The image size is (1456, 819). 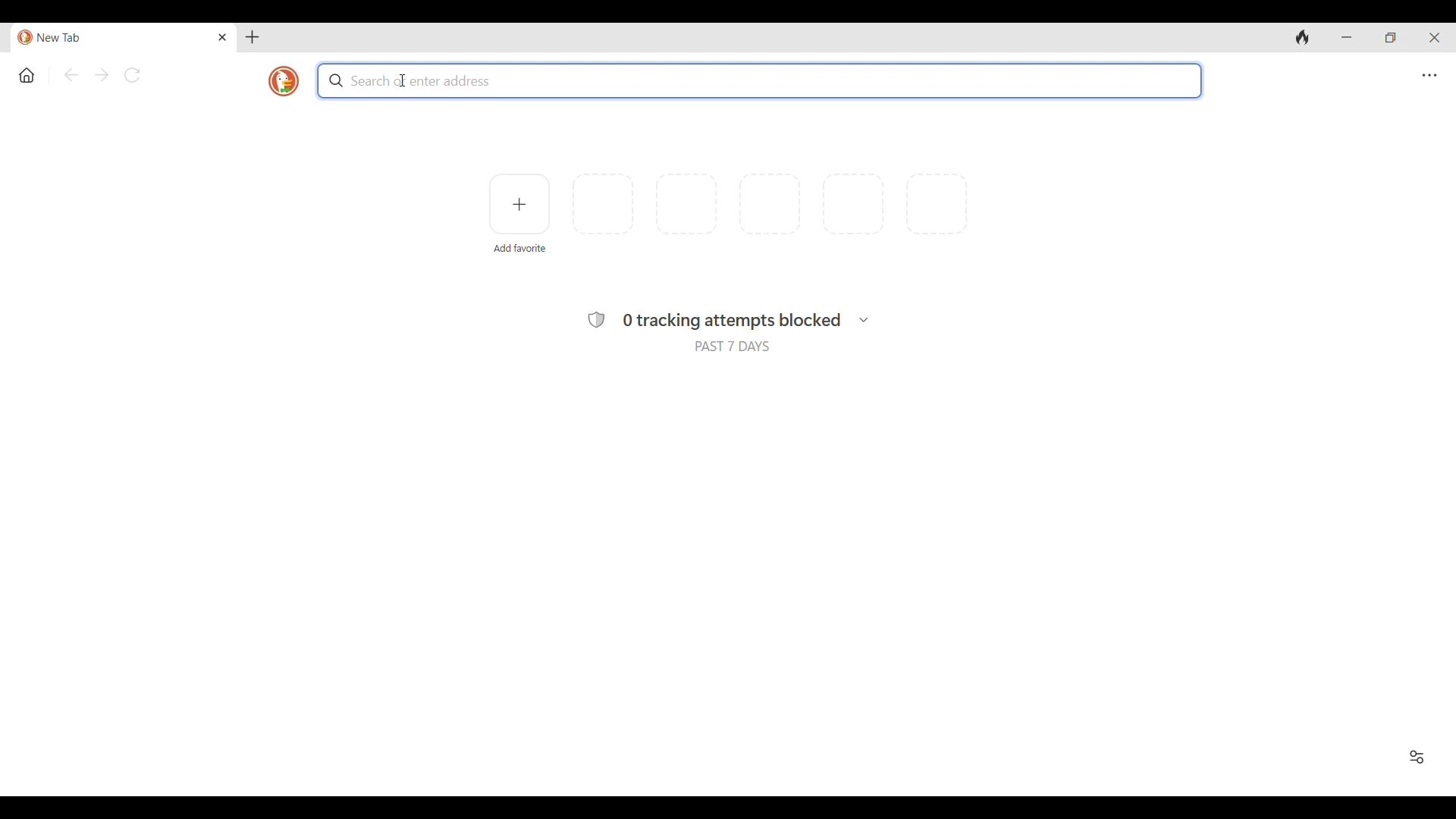 What do you see at coordinates (1417, 757) in the screenshot?
I see `Show/Hide Favorites and recent activity` at bounding box center [1417, 757].